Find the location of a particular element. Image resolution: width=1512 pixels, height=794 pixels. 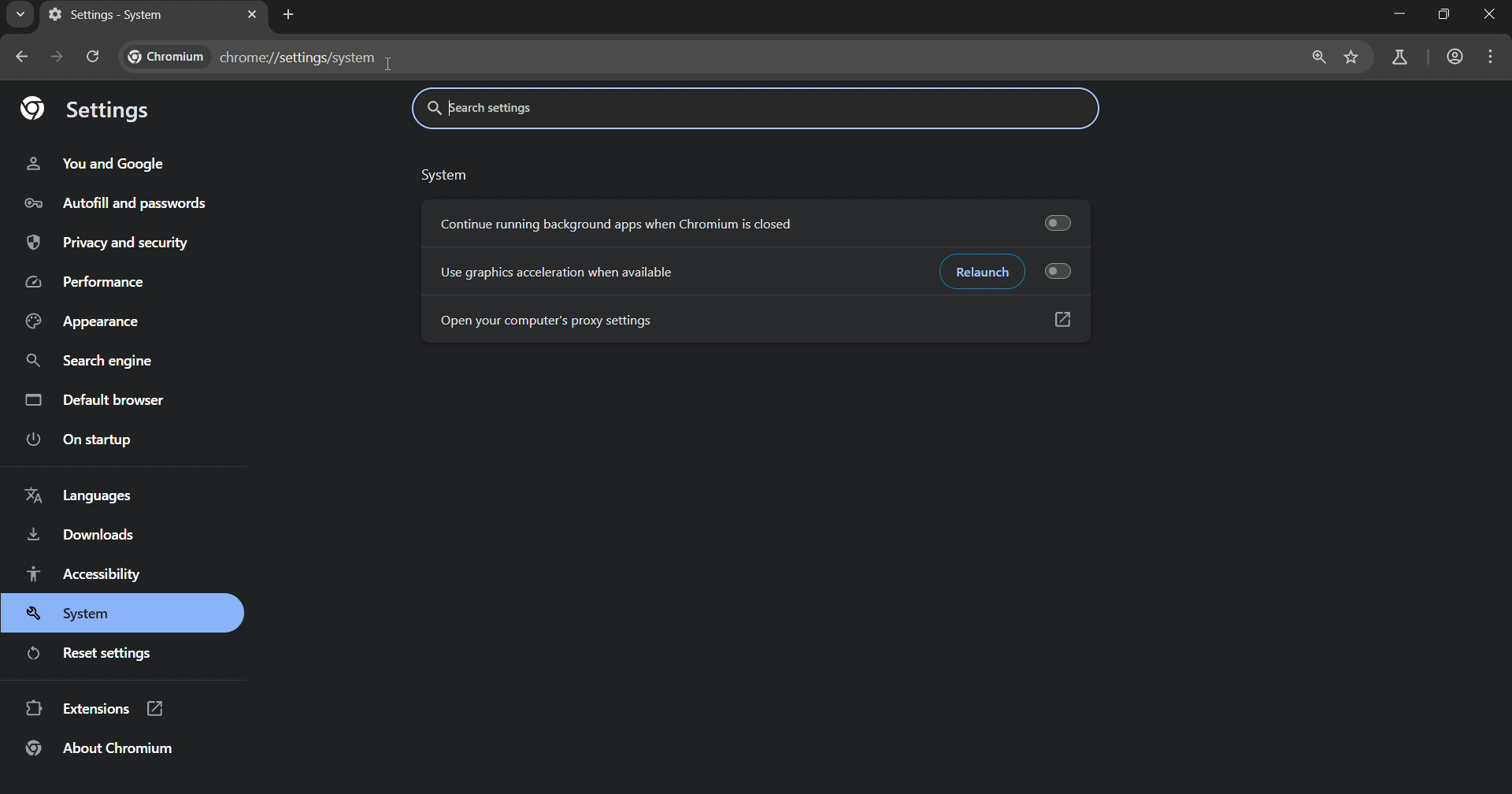

search labs is located at coordinates (1399, 57).